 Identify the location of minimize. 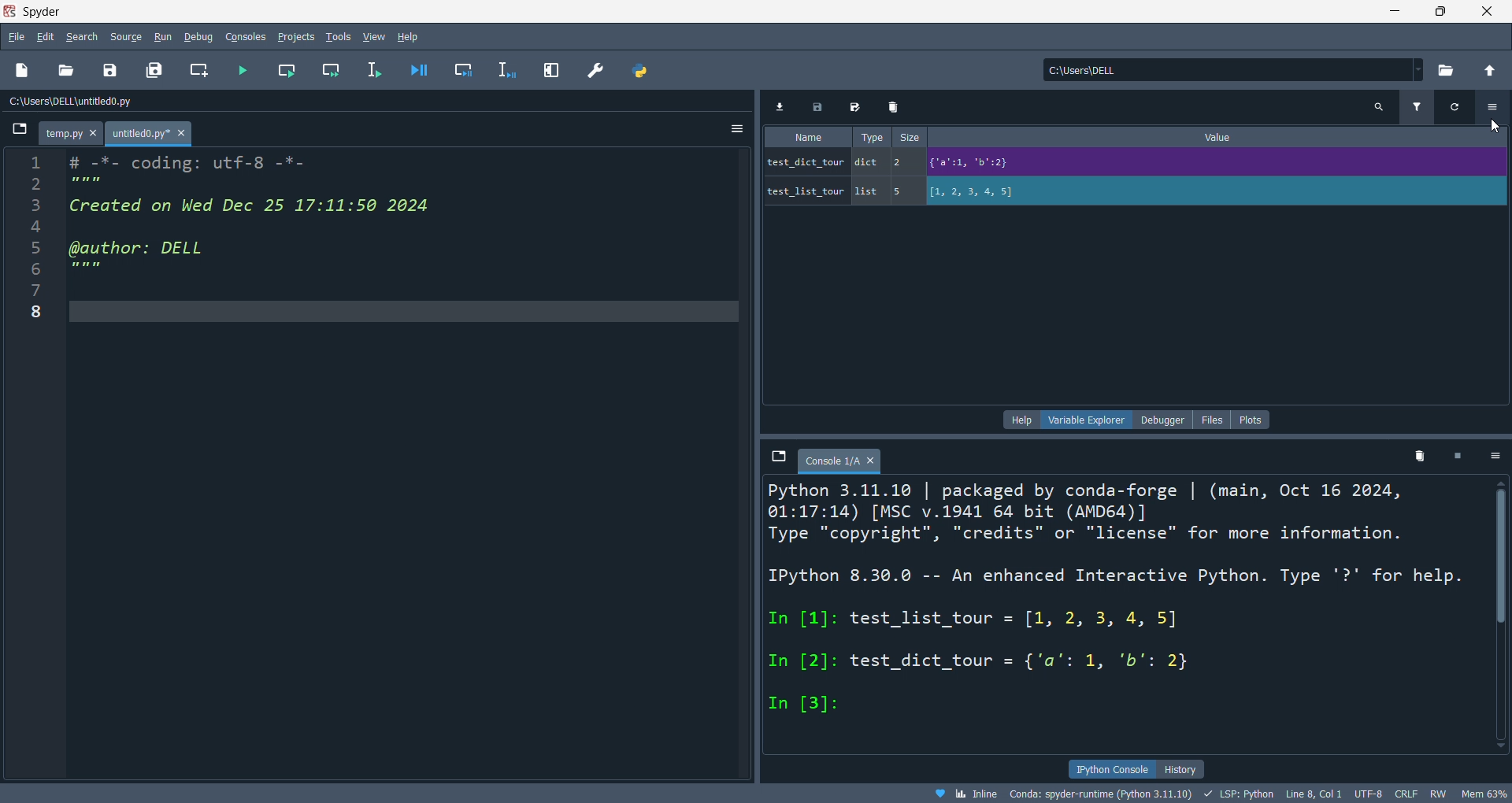
(1391, 12).